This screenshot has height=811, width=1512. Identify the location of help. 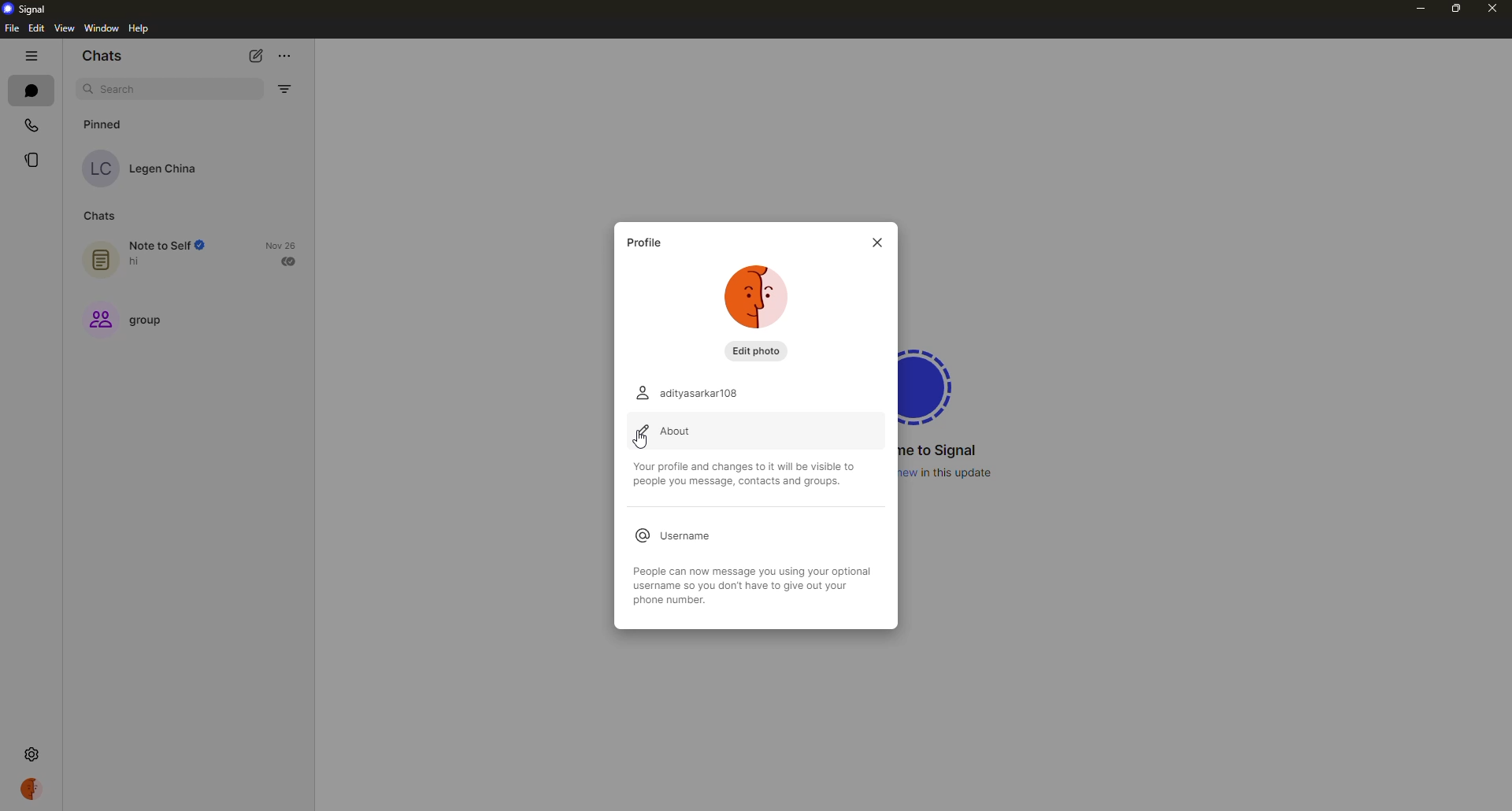
(140, 29).